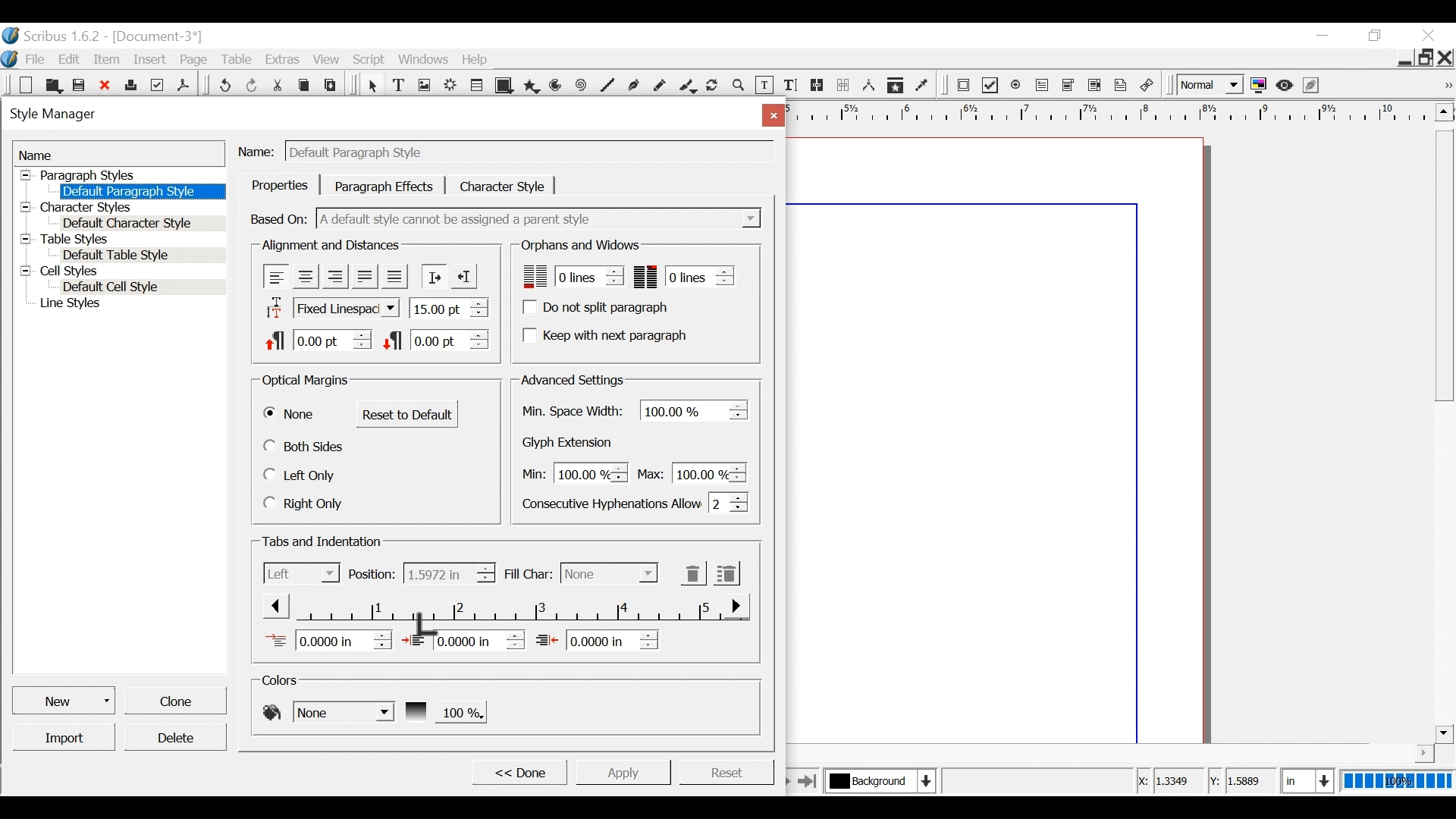 This screenshot has height=819, width=1456. What do you see at coordinates (479, 59) in the screenshot?
I see `Help` at bounding box center [479, 59].